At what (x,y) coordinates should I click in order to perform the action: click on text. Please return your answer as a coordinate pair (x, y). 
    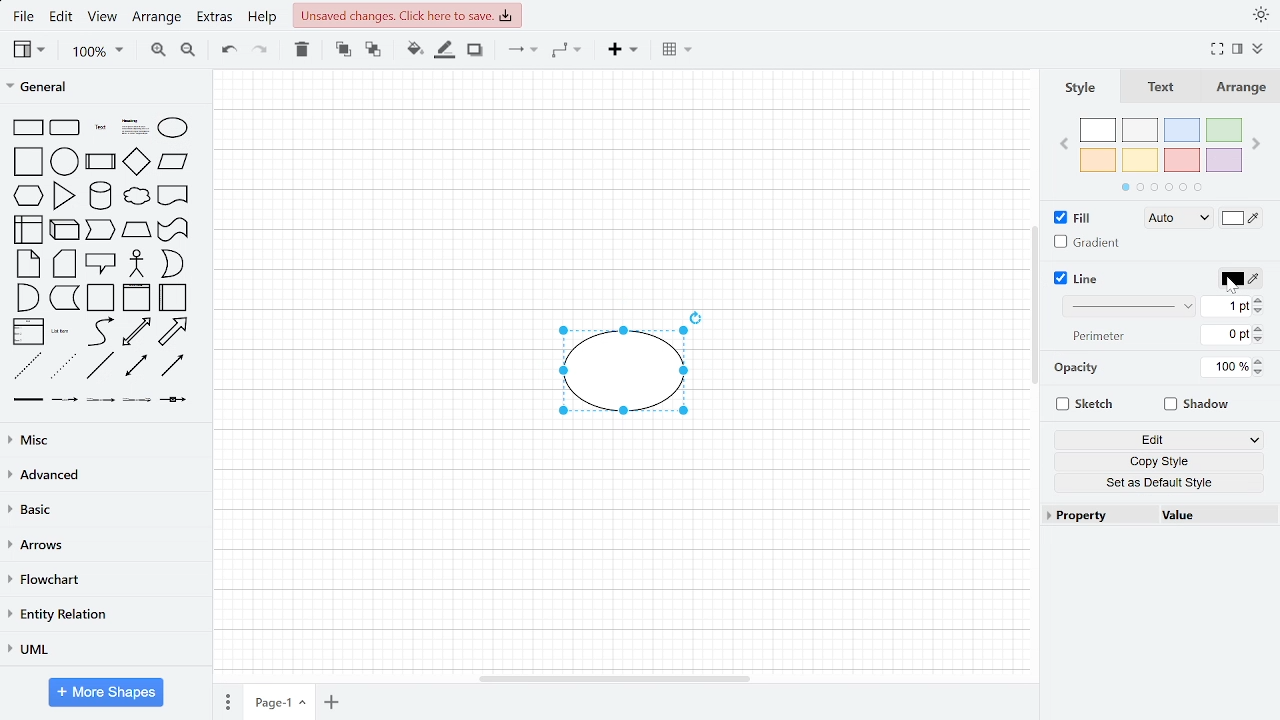
    Looking at the image, I should click on (101, 130).